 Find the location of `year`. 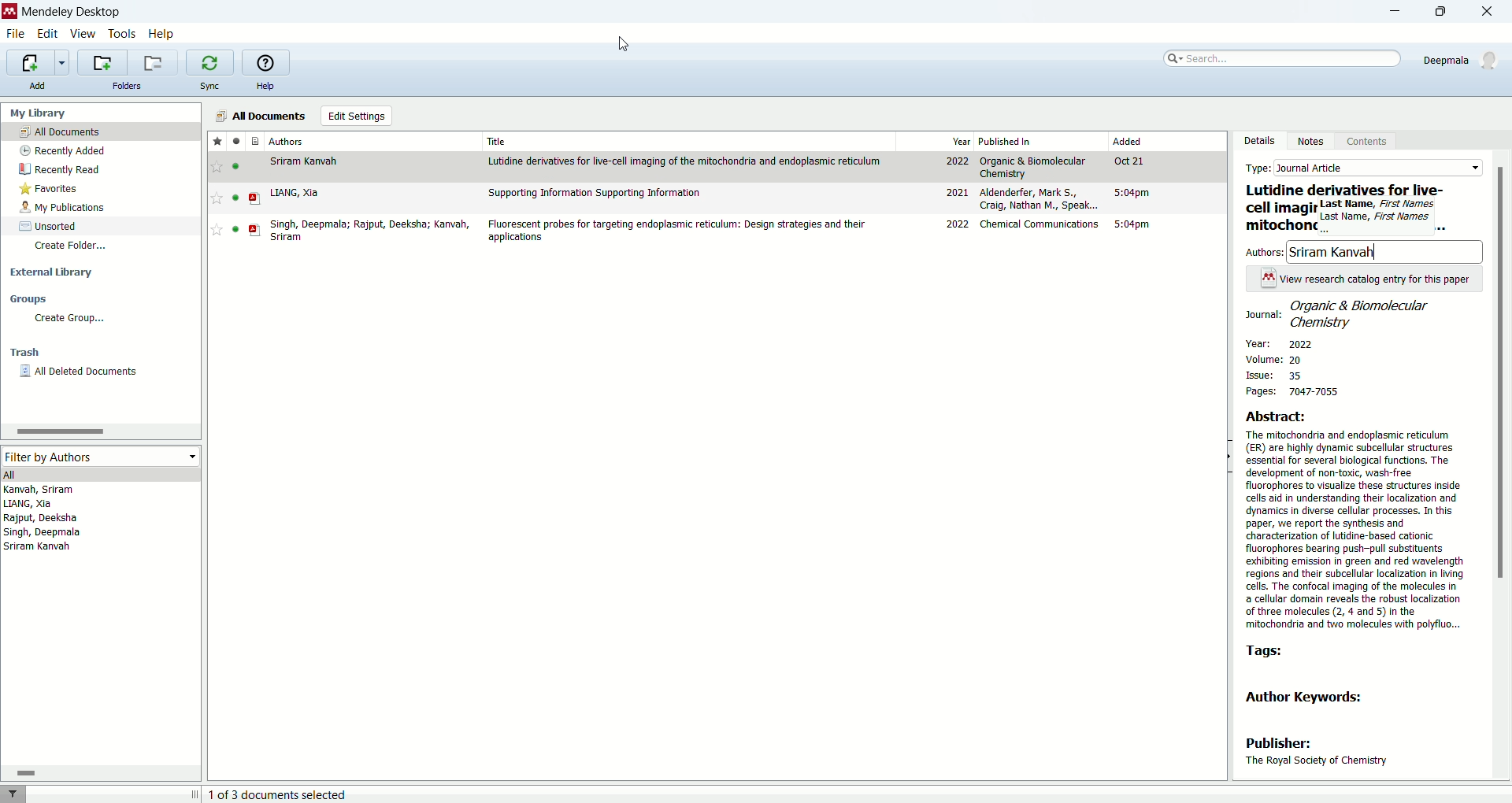

year is located at coordinates (958, 140).